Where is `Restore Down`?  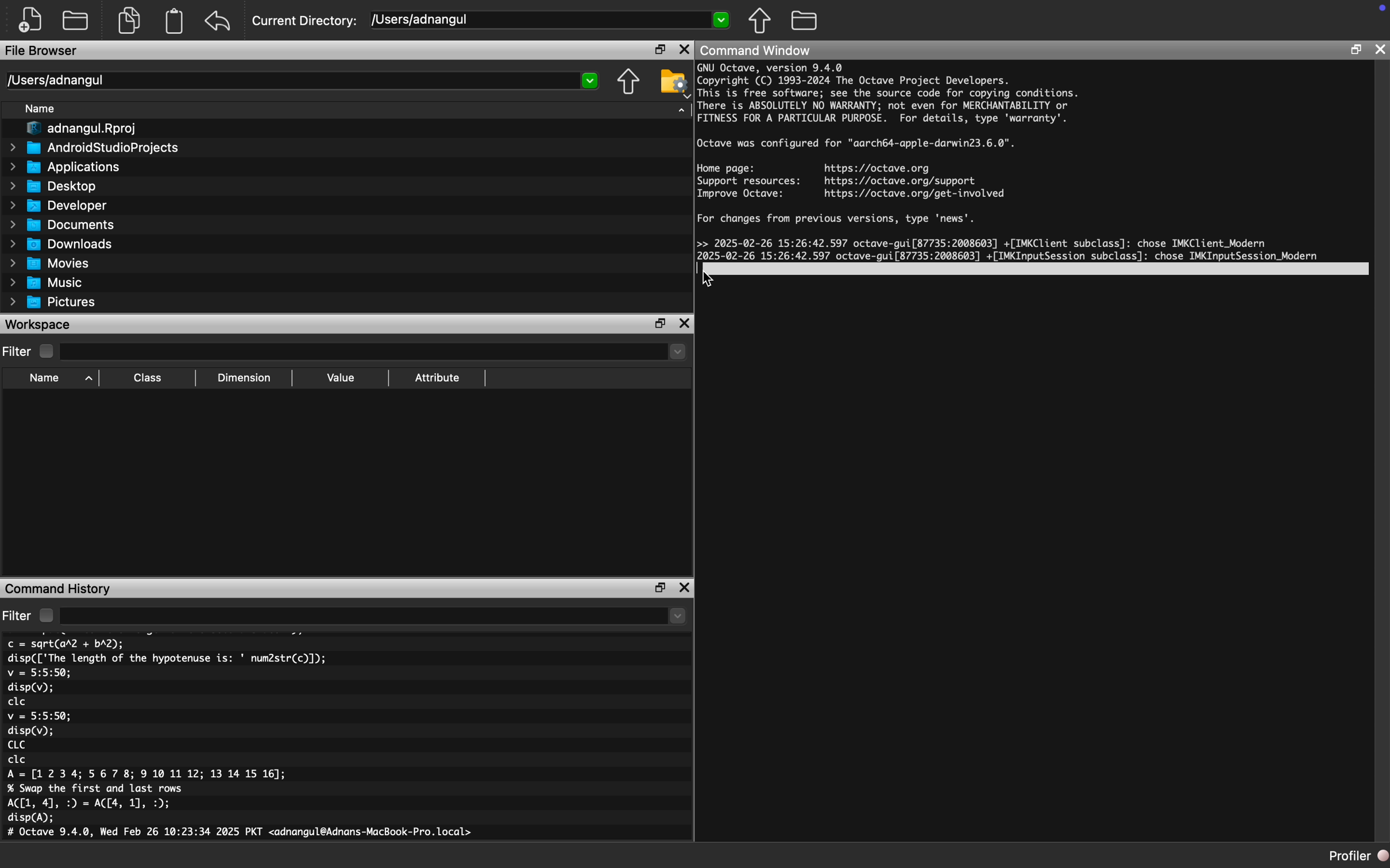
Restore Down is located at coordinates (661, 588).